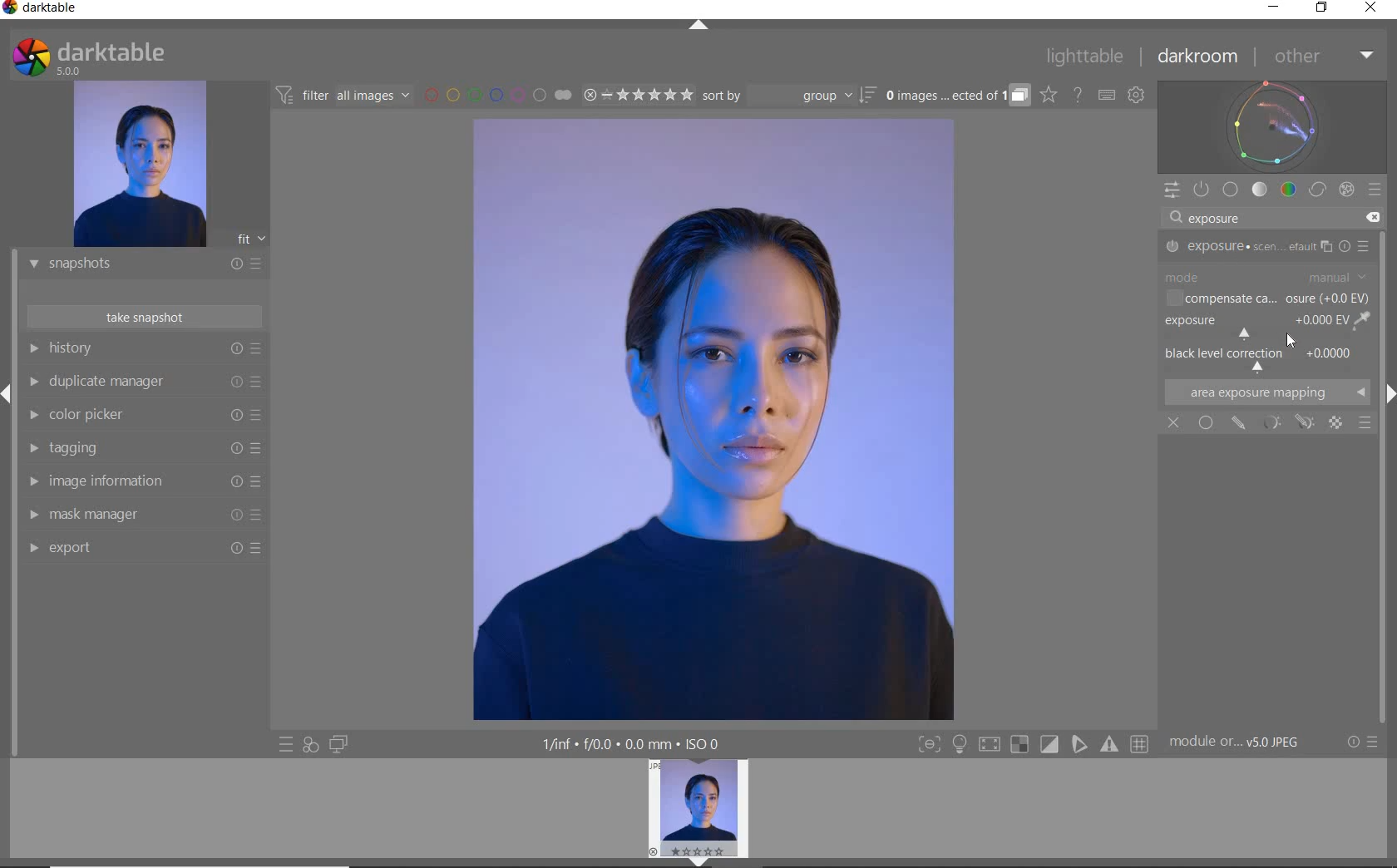  What do you see at coordinates (1325, 8) in the screenshot?
I see `RESTORE` at bounding box center [1325, 8].